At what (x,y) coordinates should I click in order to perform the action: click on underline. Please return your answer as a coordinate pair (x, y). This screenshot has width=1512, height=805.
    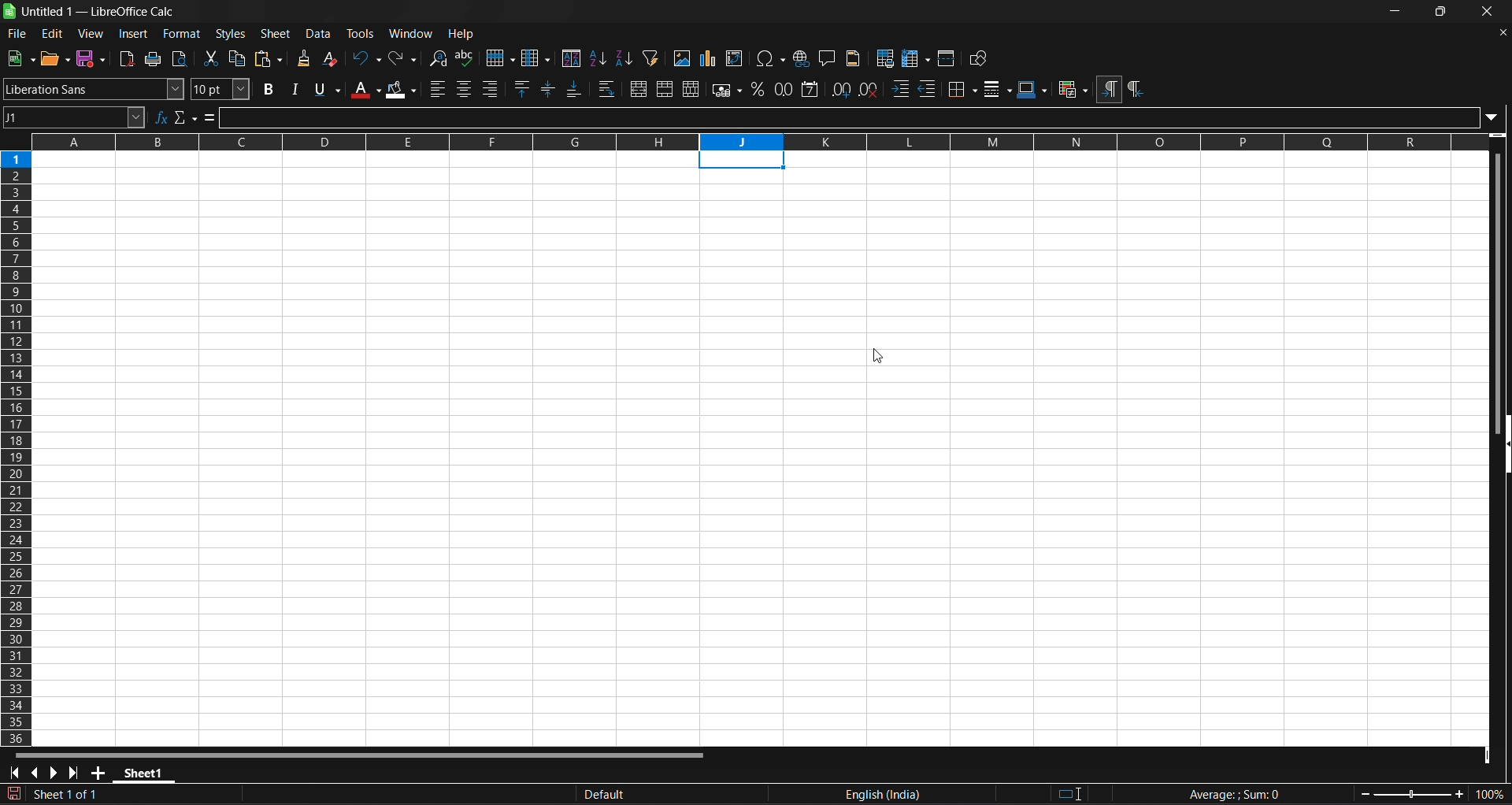
    Looking at the image, I should click on (328, 88).